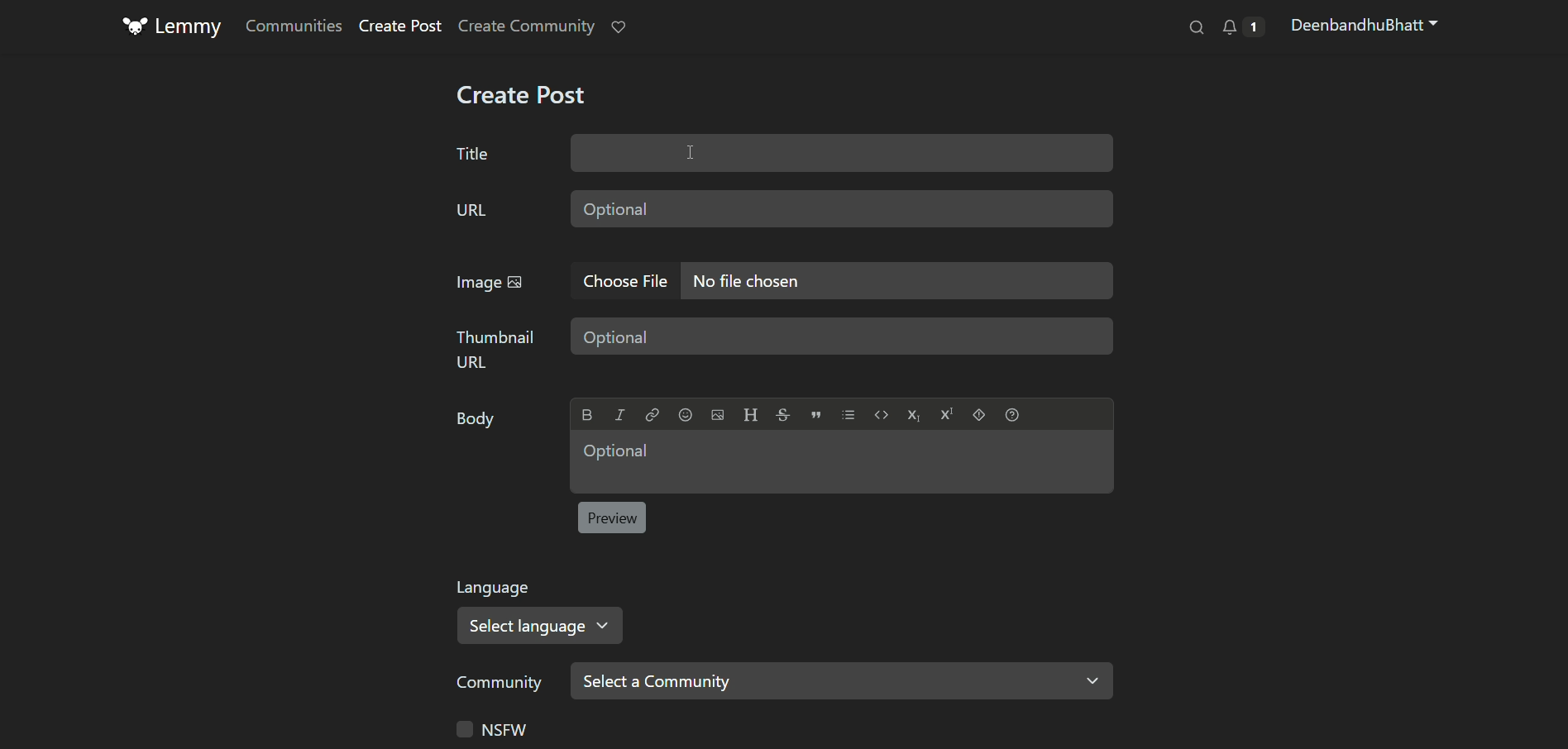 Image resolution: width=1568 pixels, height=749 pixels. Describe the element at coordinates (528, 26) in the screenshot. I see `create community` at that location.